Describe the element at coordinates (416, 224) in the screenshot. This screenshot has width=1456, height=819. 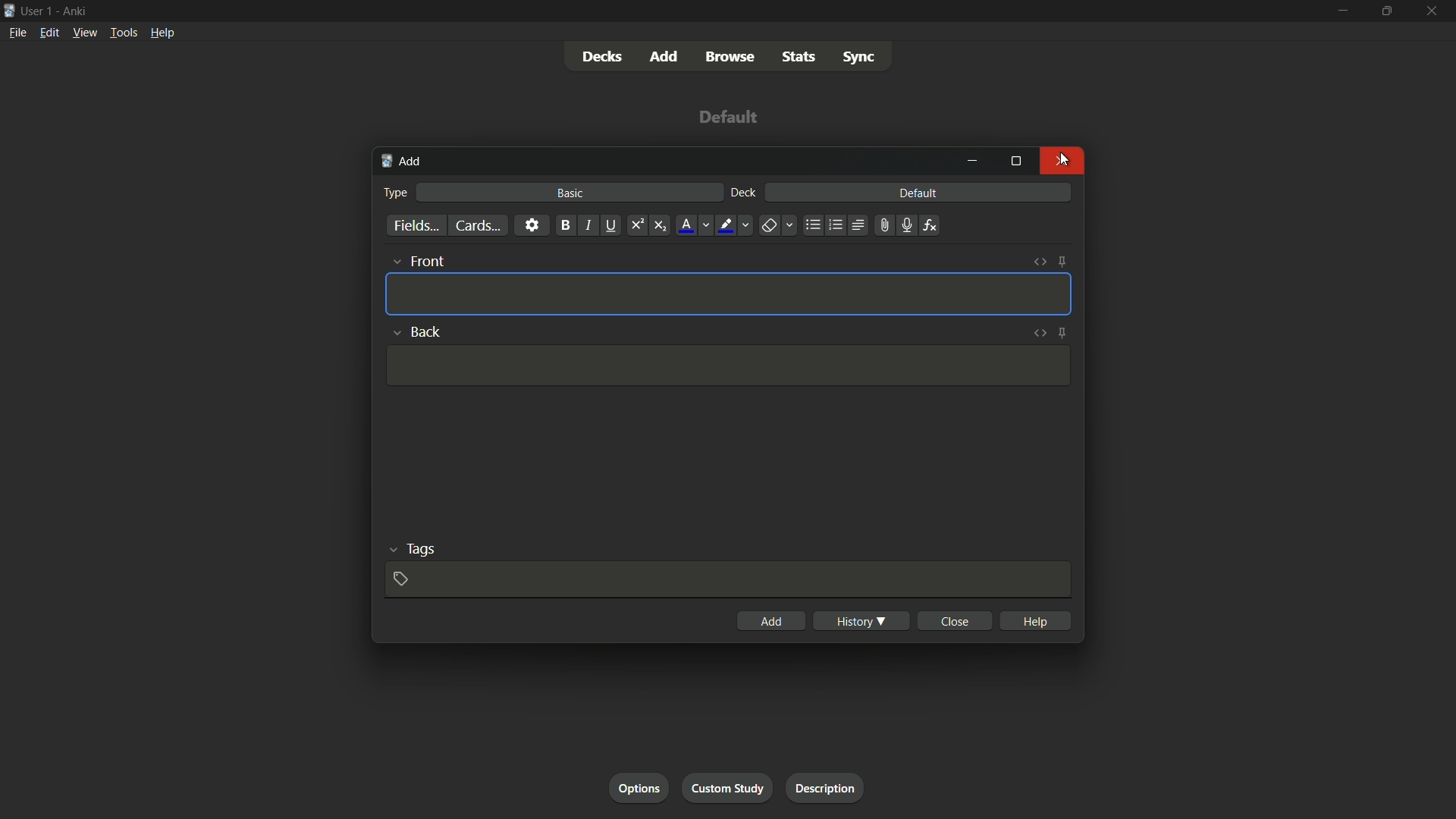
I see `fields` at that location.